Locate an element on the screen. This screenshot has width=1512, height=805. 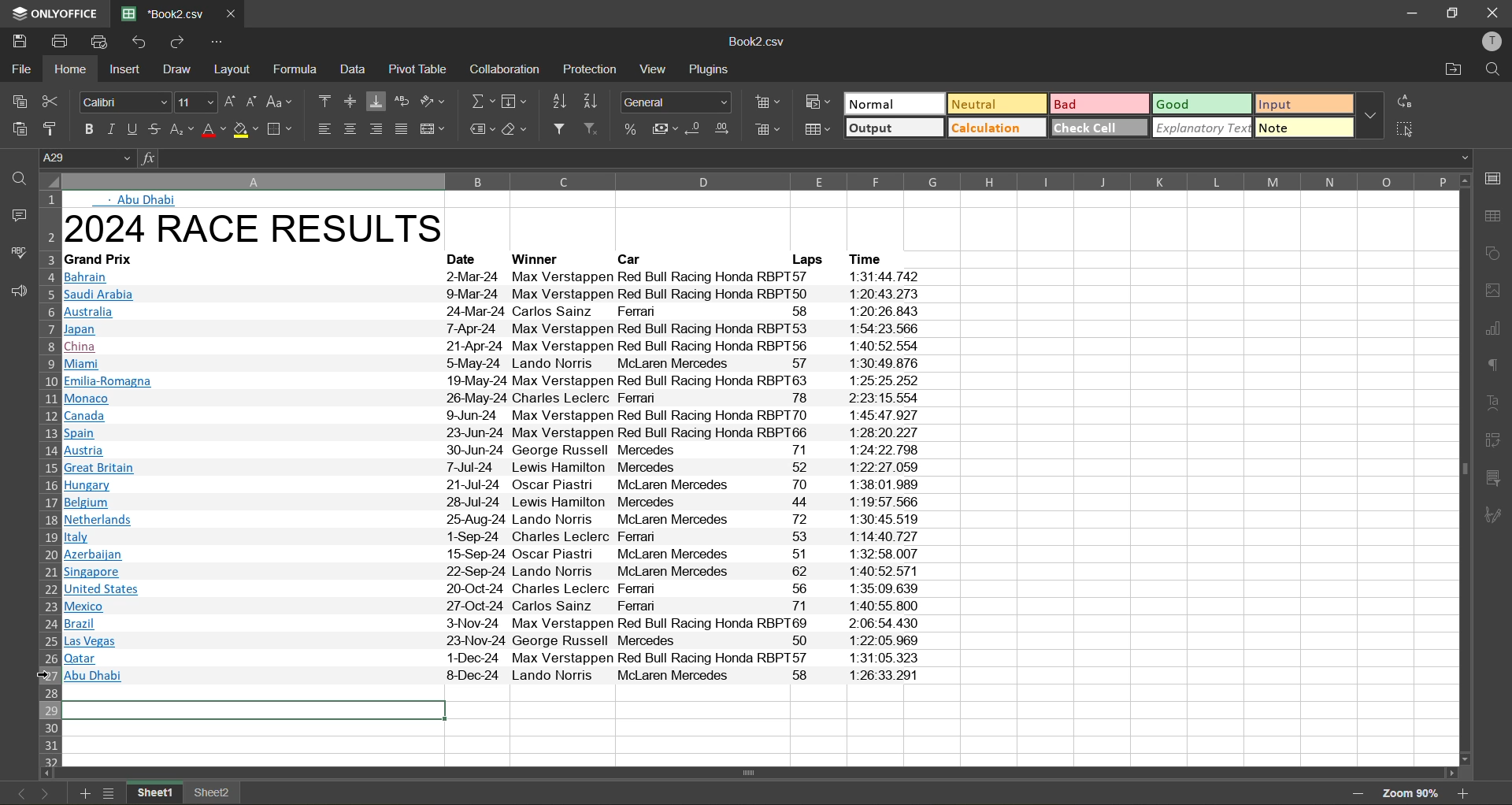
call settings is located at coordinates (1494, 178).